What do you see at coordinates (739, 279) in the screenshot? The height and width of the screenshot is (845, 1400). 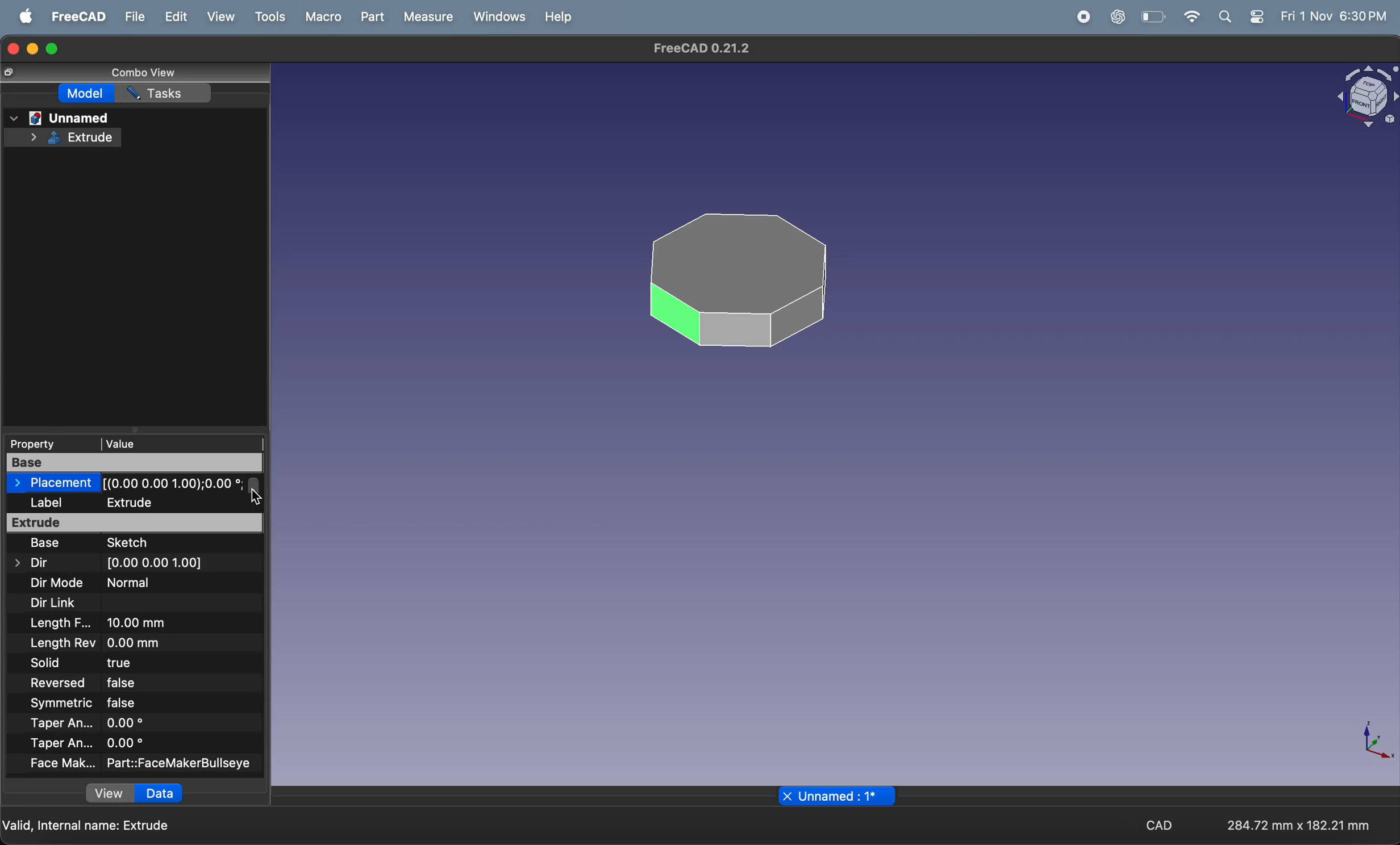 I see `3D polygon` at bounding box center [739, 279].